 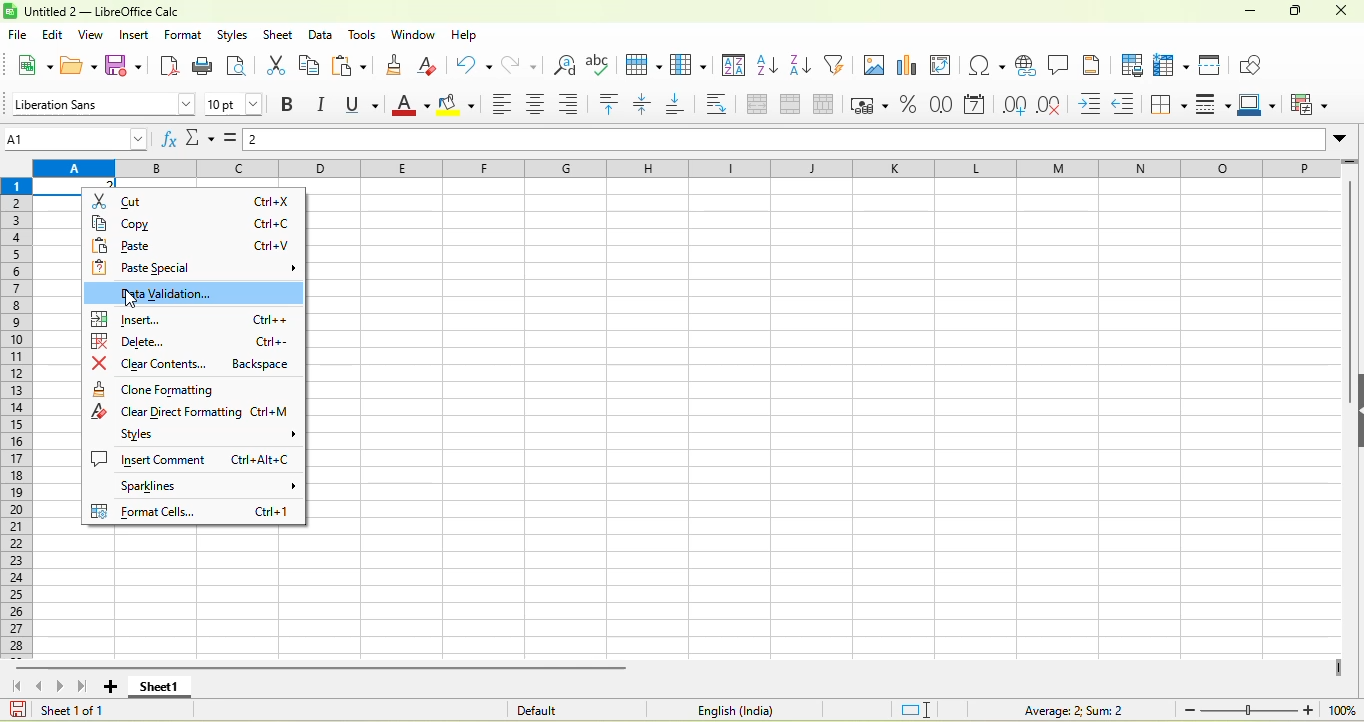 What do you see at coordinates (989, 65) in the screenshot?
I see `special character` at bounding box center [989, 65].